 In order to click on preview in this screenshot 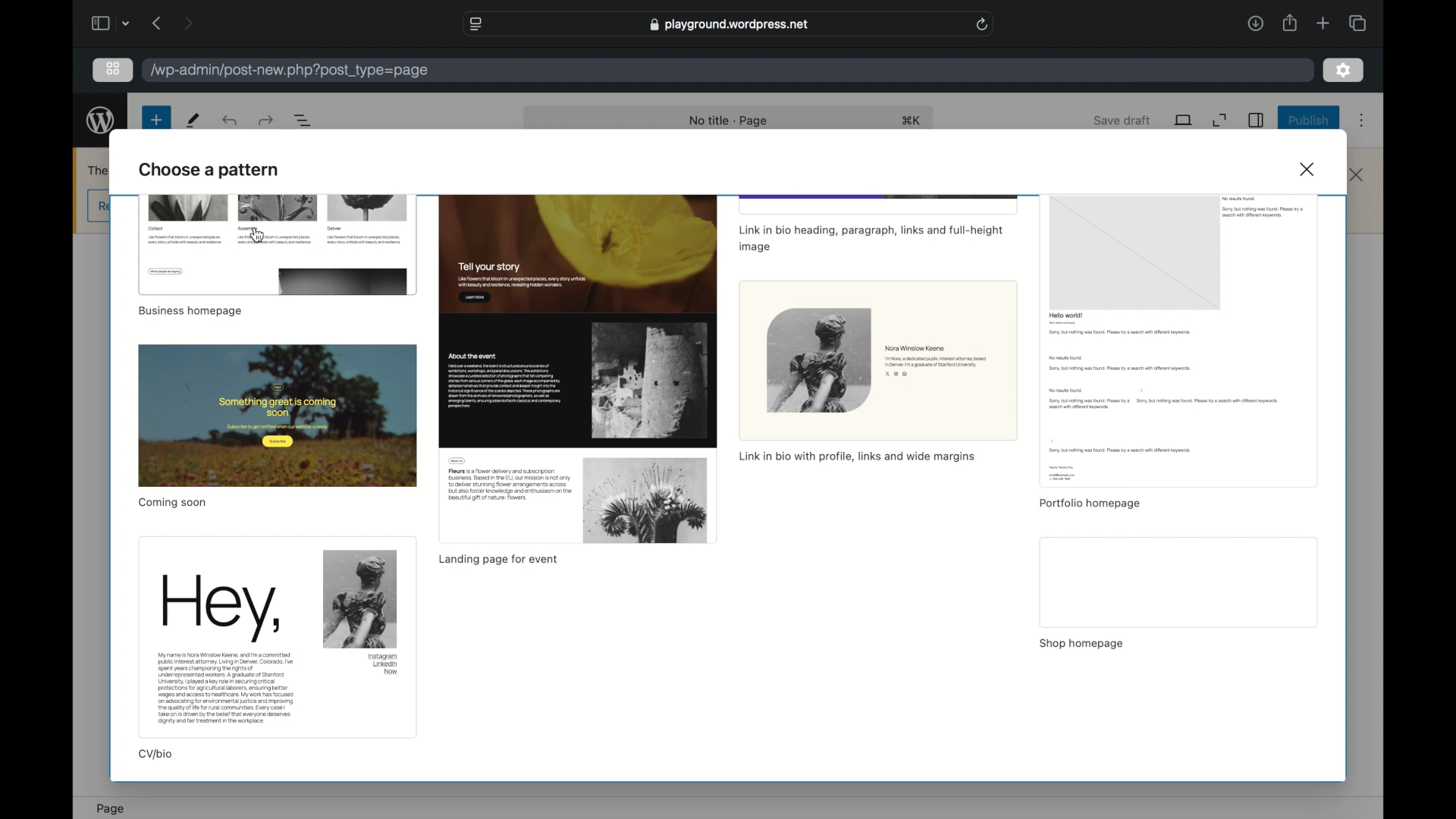, I will do `click(278, 243)`.